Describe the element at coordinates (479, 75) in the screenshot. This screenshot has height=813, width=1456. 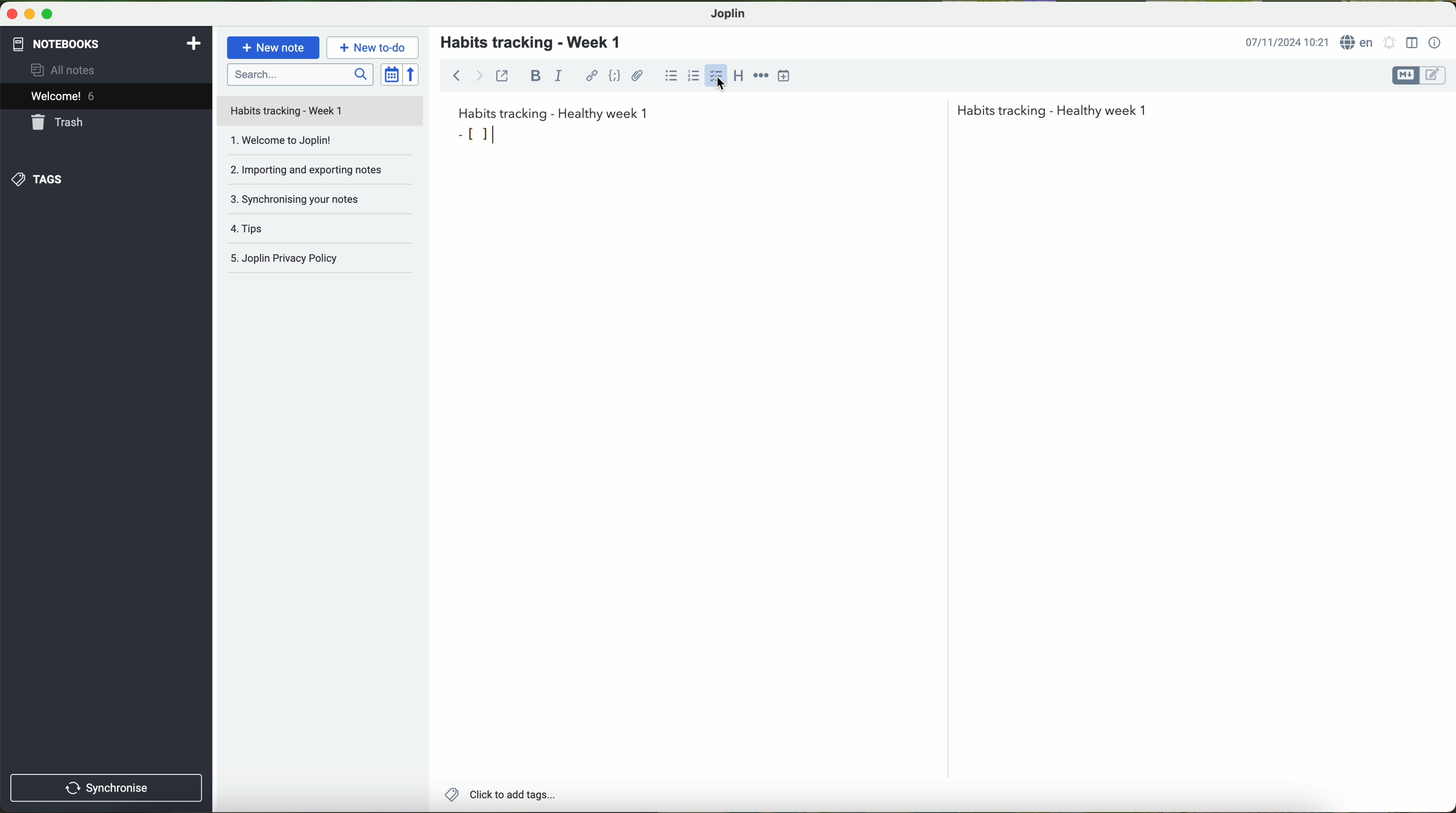
I see `forward` at that location.